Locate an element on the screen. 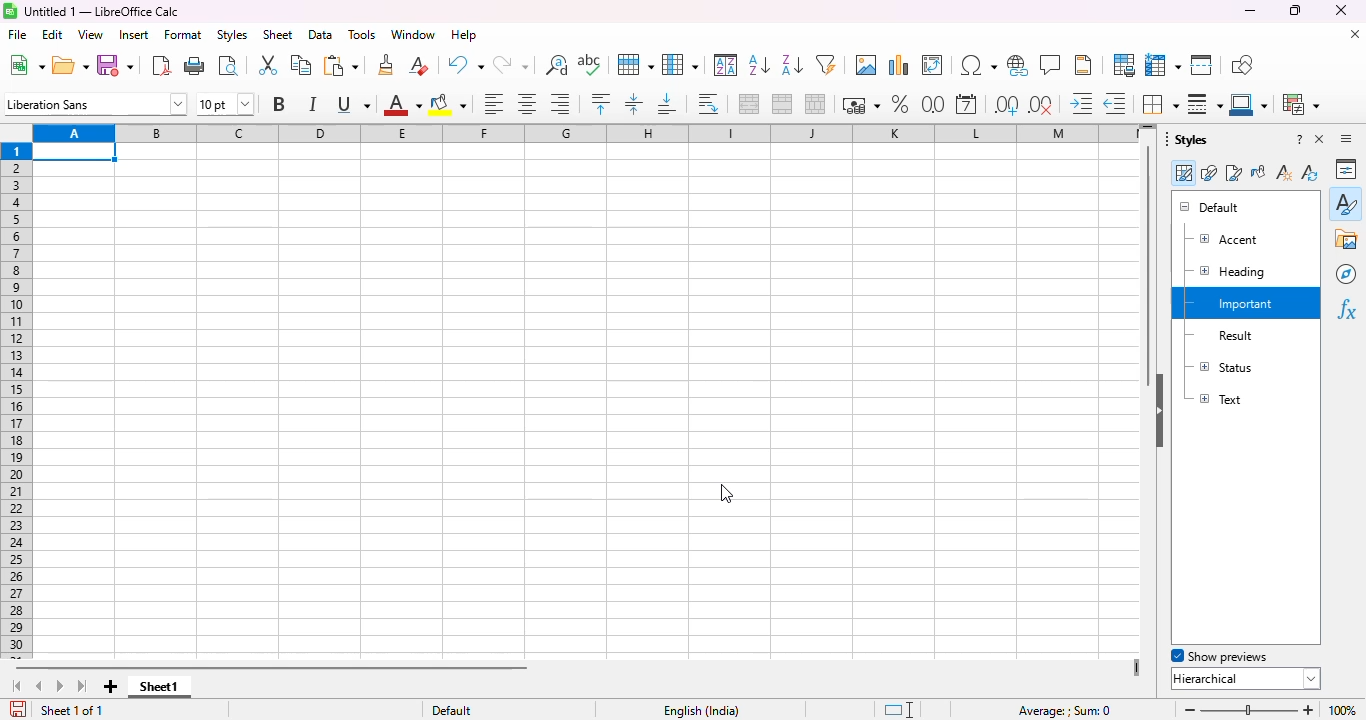  close is located at coordinates (1341, 10).